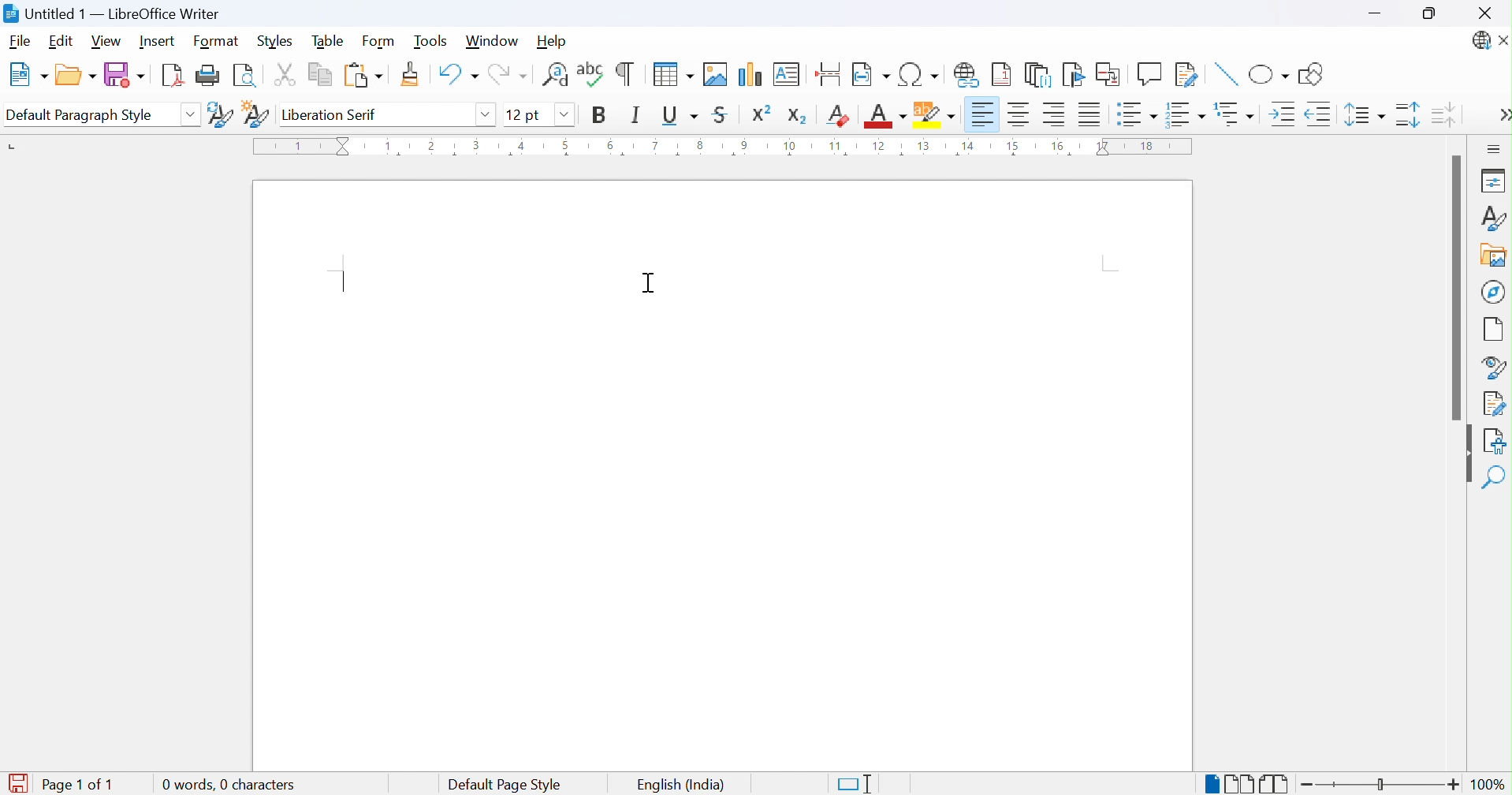 Image resolution: width=1512 pixels, height=795 pixels. What do you see at coordinates (1283, 115) in the screenshot?
I see `Increase indent` at bounding box center [1283, 115].